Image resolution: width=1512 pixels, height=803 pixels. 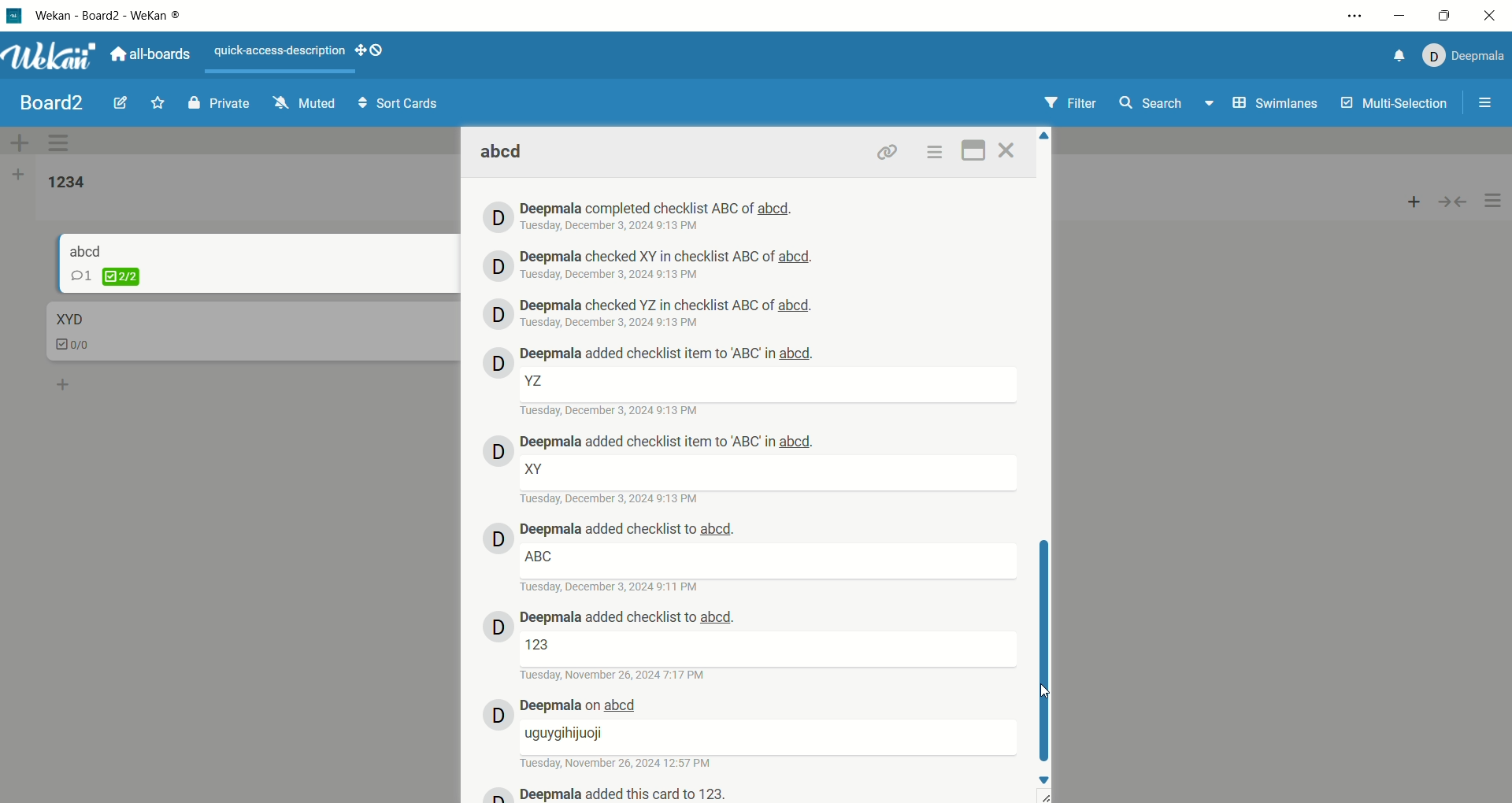 What do you see at coordinates (54, 103) in the screenshot?
I see `board title` at bounding box center [54, 103].